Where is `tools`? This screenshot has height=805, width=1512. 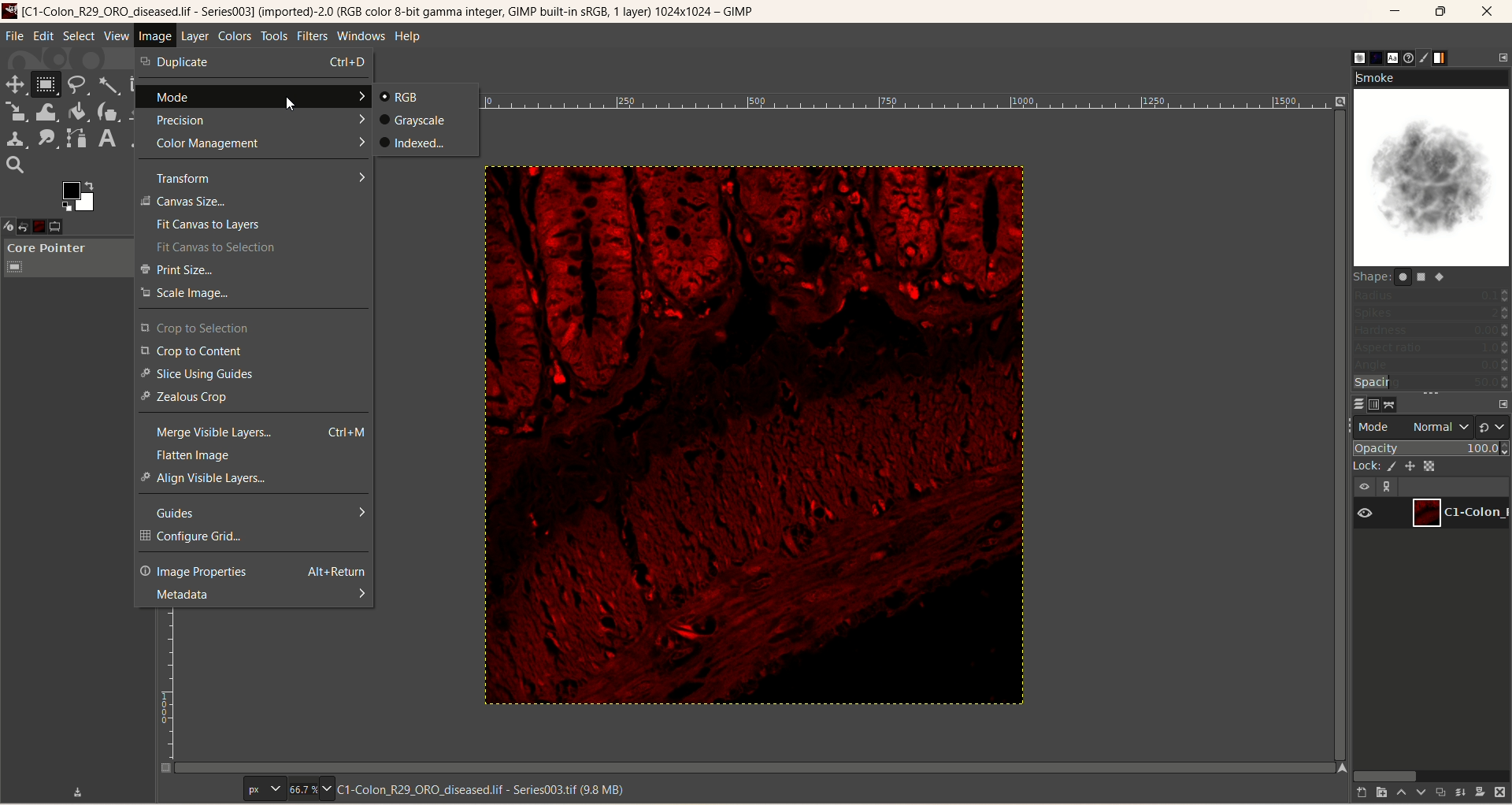 tools is located at coordinates (275, 36).